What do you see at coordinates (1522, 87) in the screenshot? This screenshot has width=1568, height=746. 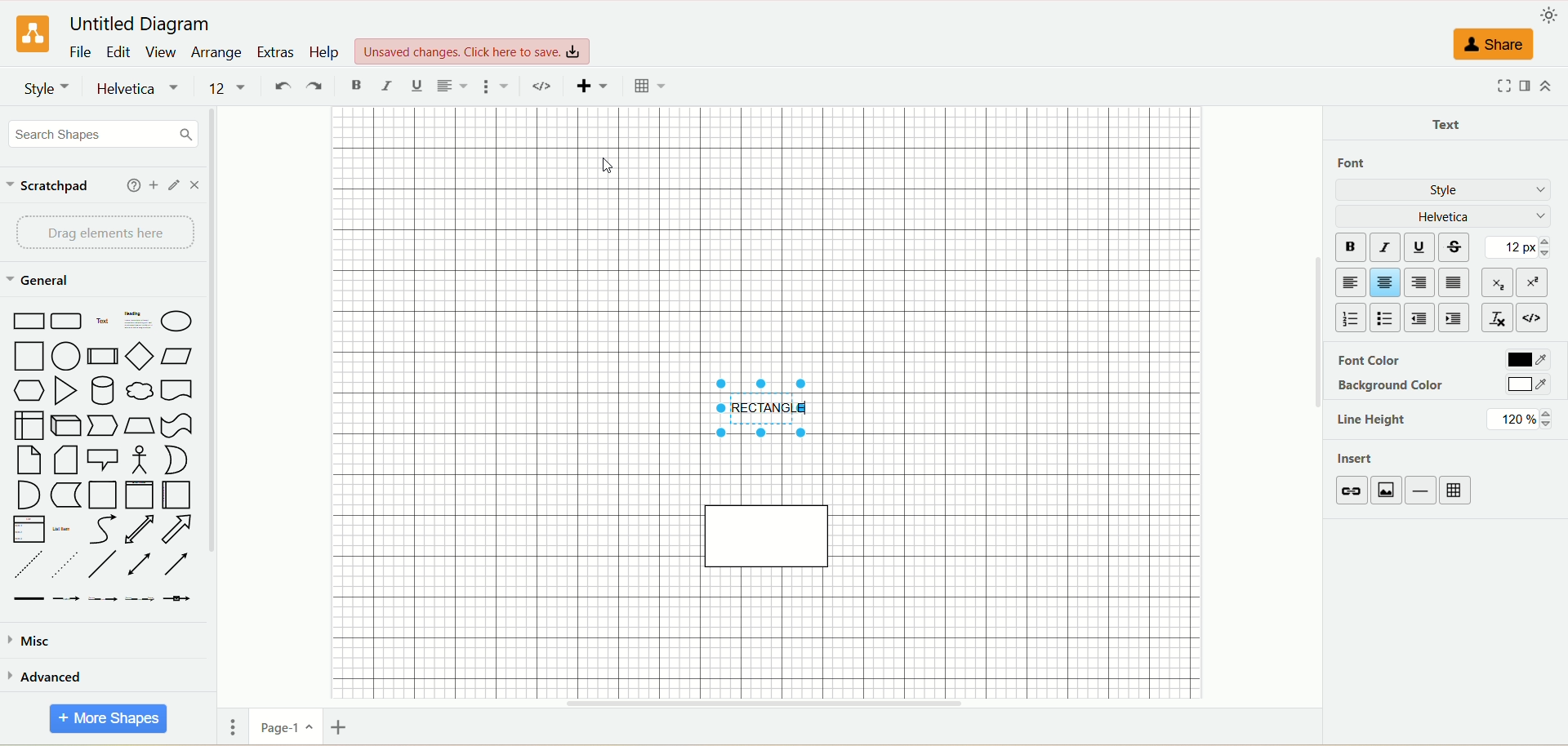 I see `format` at bounding box center [1522, 87].